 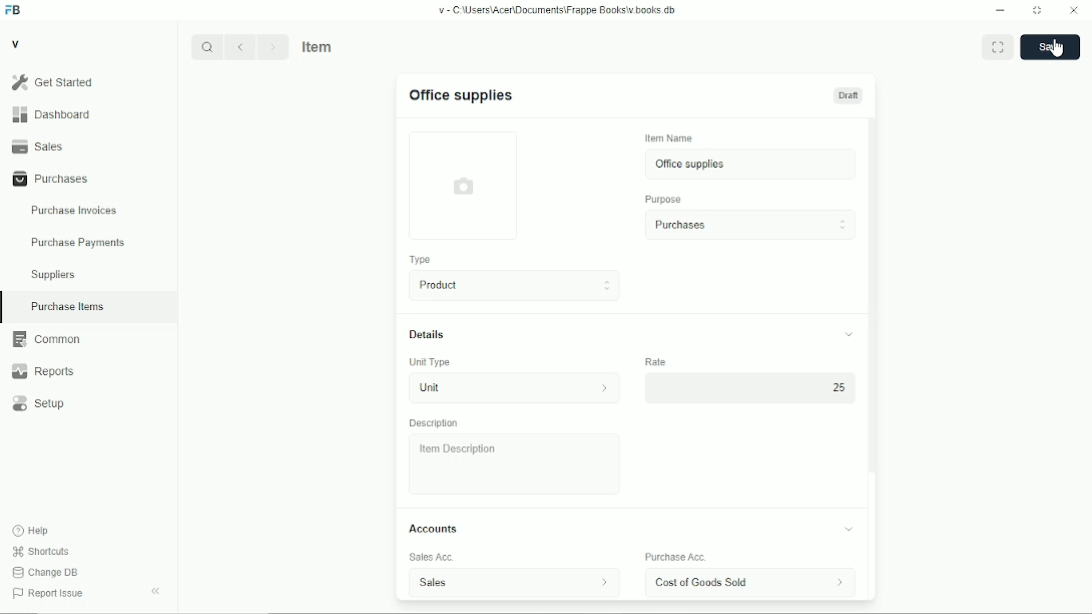 What do you see at coordinates (605, 387) in the screenshot?
I see `unit information` at bounding box center [605, 387].